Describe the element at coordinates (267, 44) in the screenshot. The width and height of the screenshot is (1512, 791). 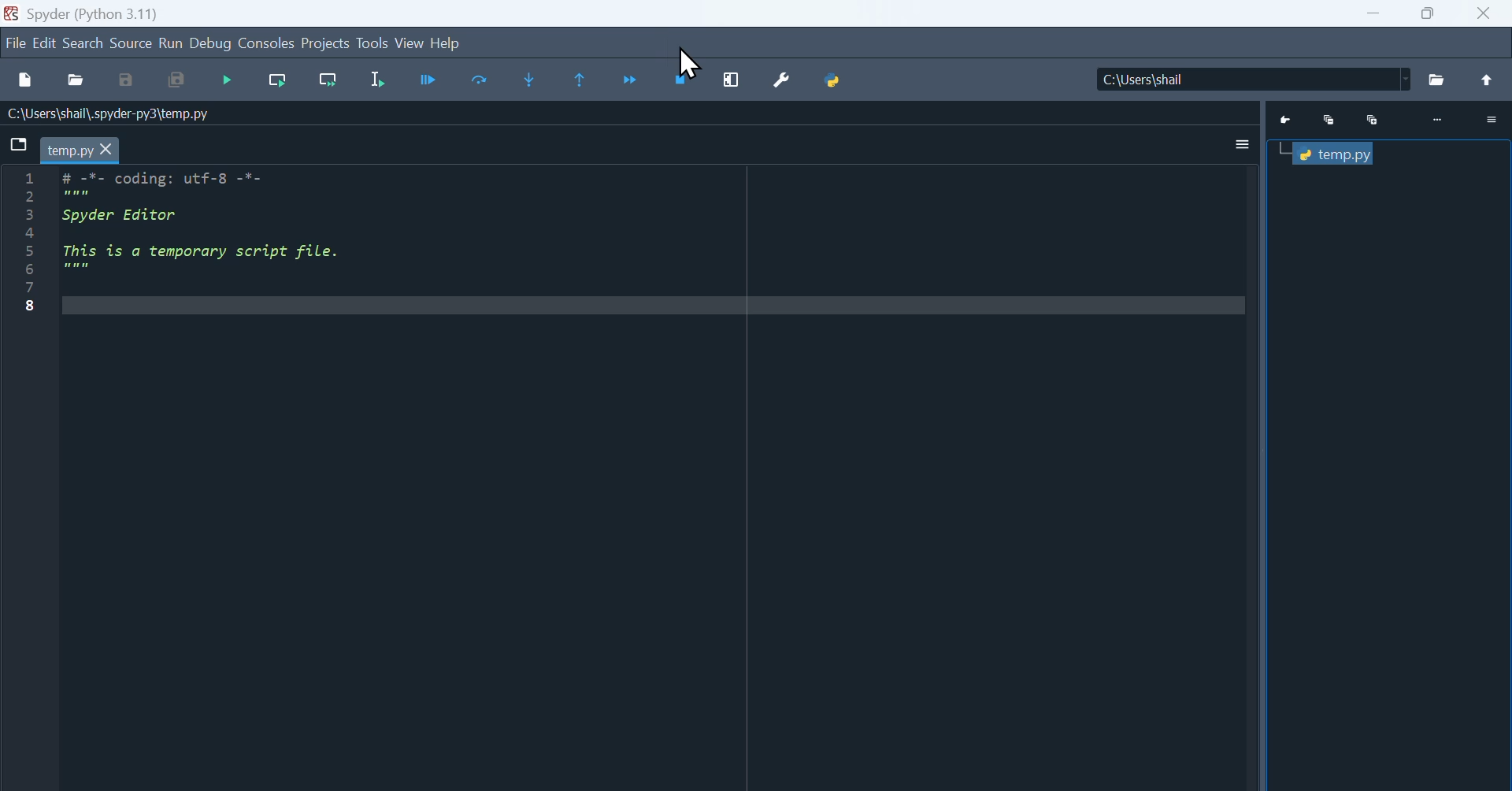
I see `Consoles` at that location.